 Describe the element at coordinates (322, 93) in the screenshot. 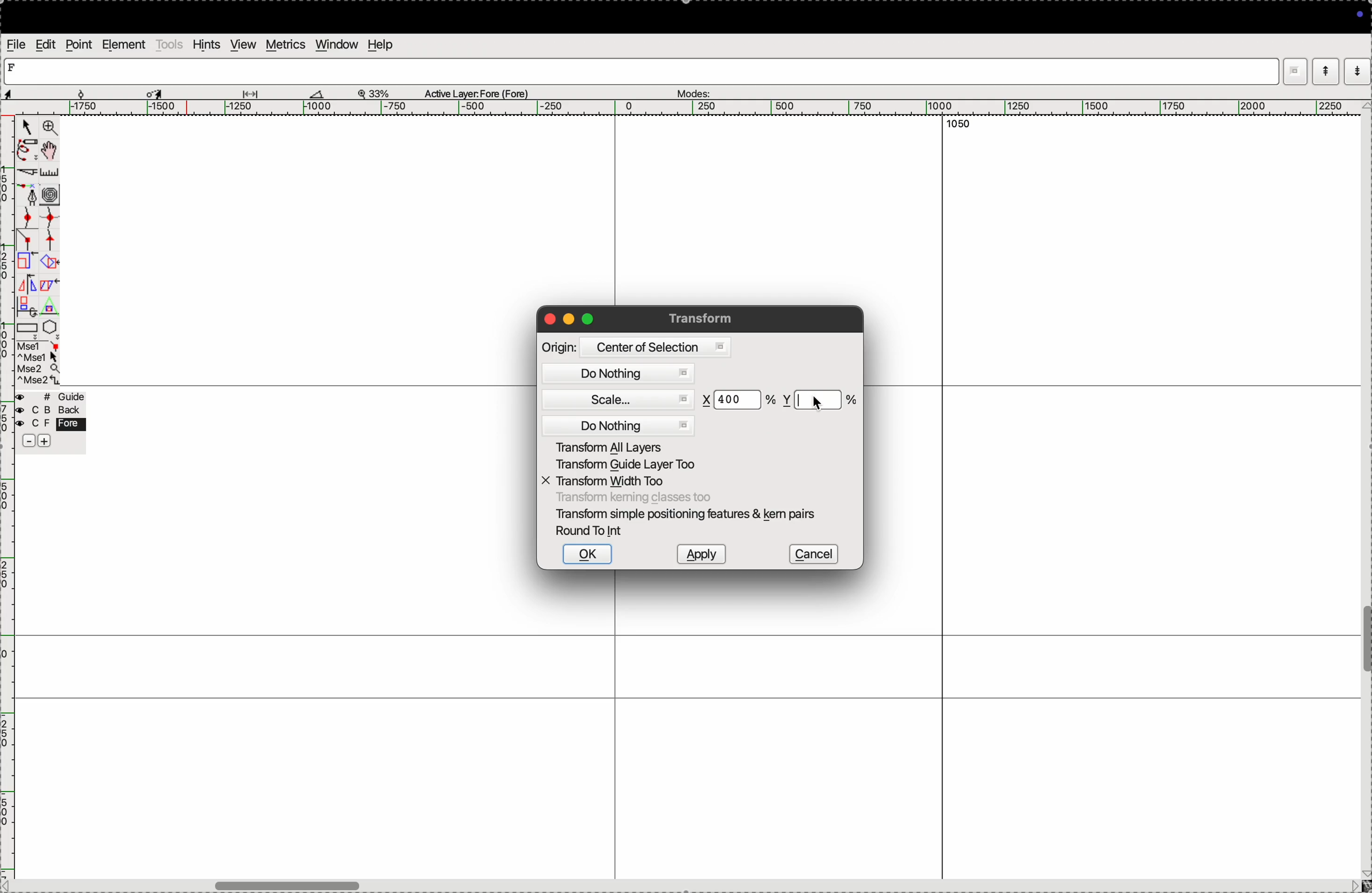

I see `boat` at that location.